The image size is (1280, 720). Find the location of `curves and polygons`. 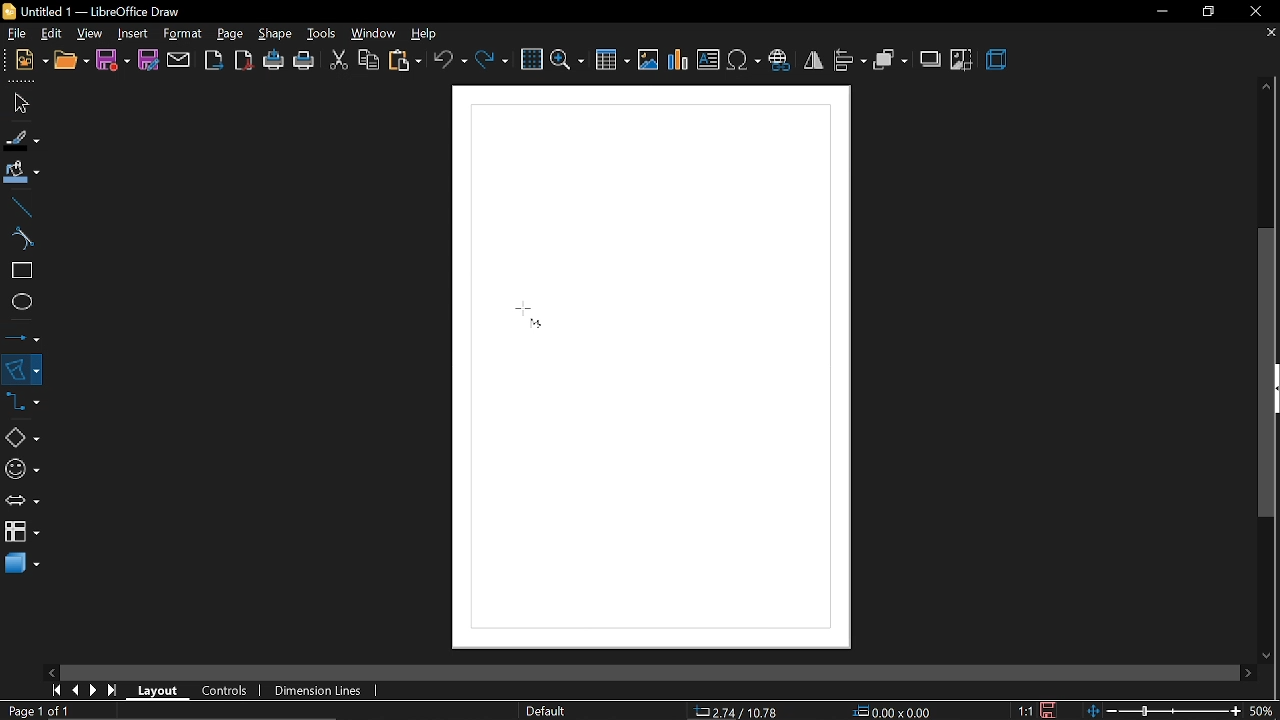

curves and polygons is located at coordinates (22, 369).